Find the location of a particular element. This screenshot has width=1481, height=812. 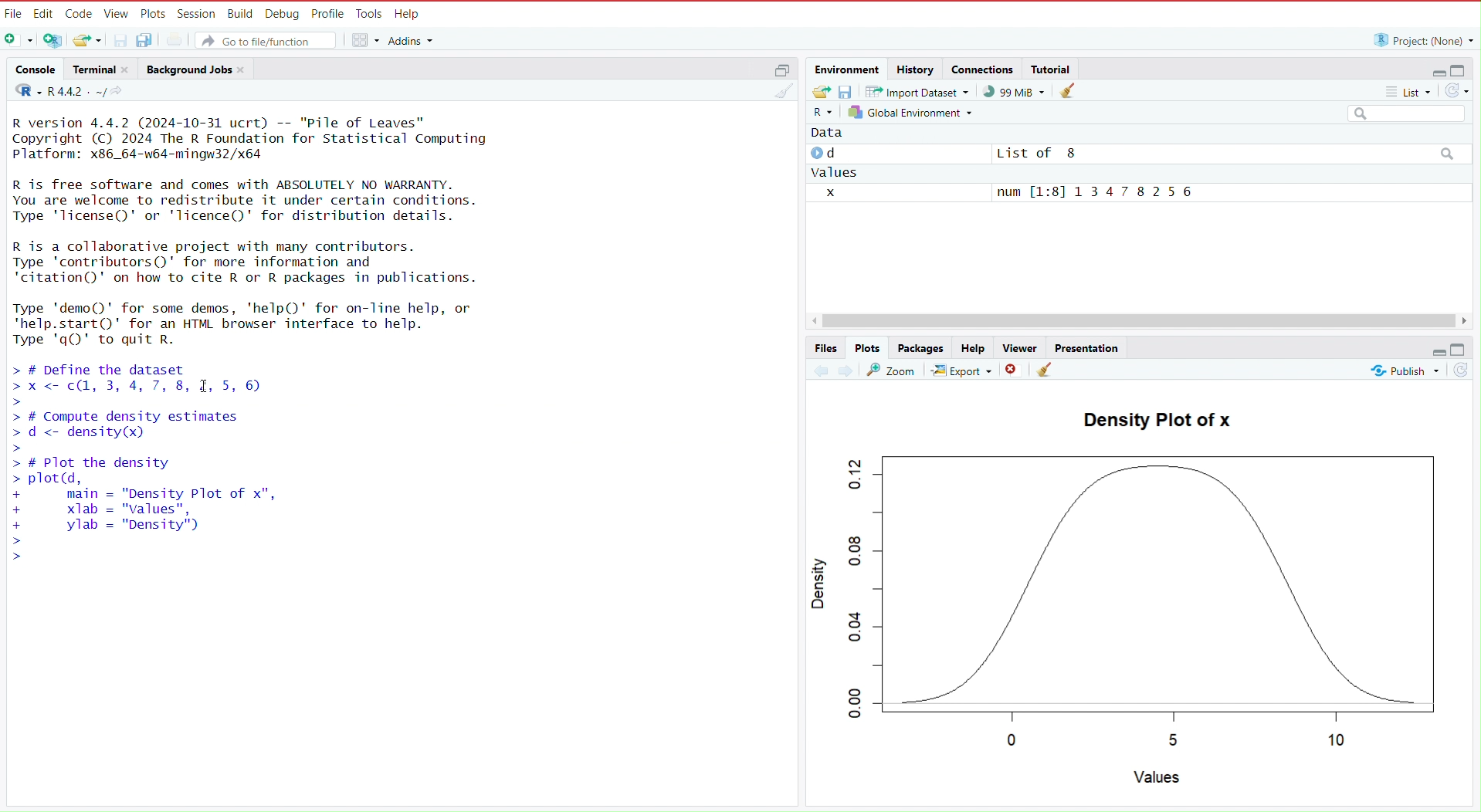

environment is located at coordinates (845, 68).